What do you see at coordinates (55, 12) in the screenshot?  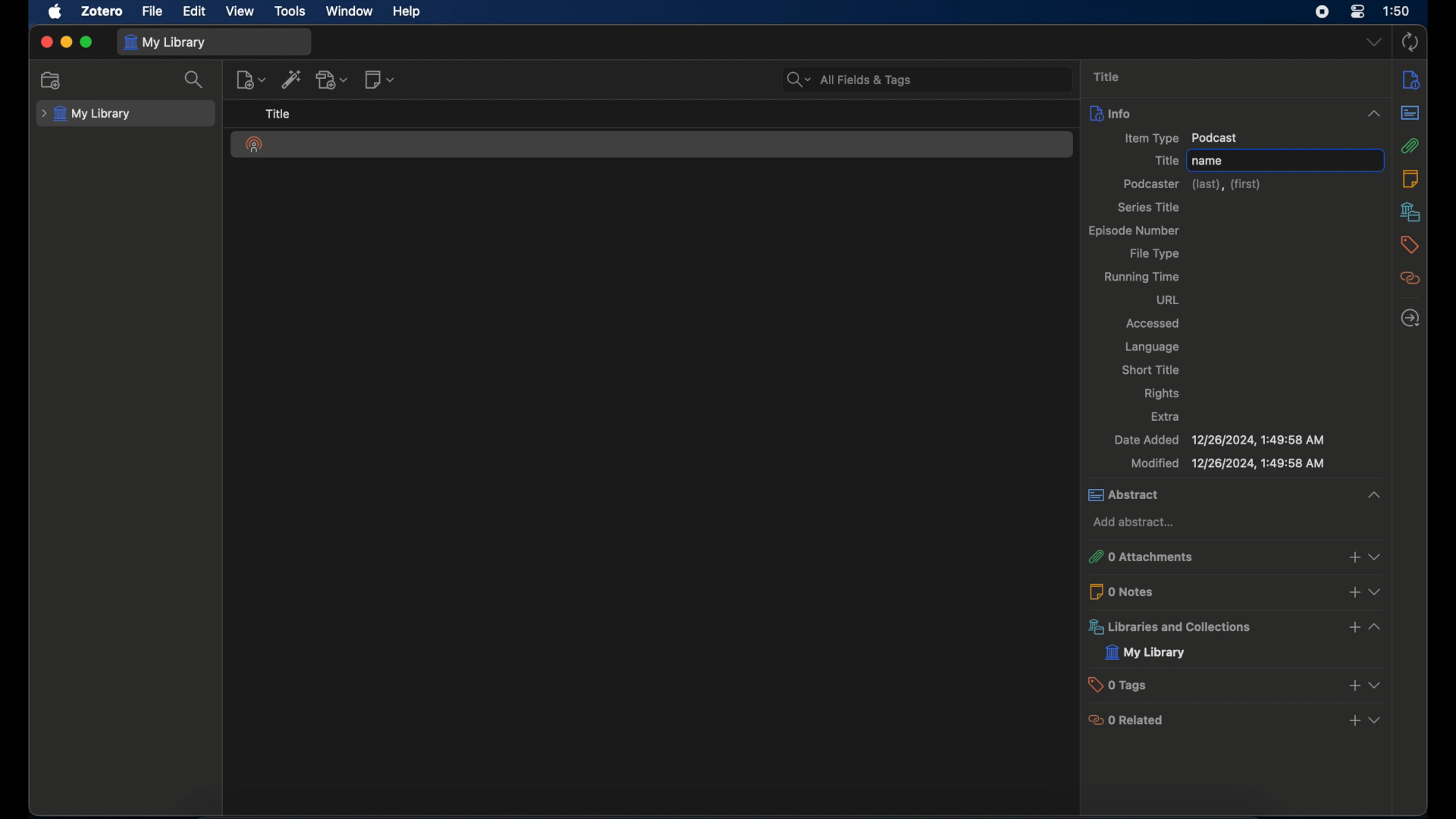 I see `apple` at bounding box center [55, 12].